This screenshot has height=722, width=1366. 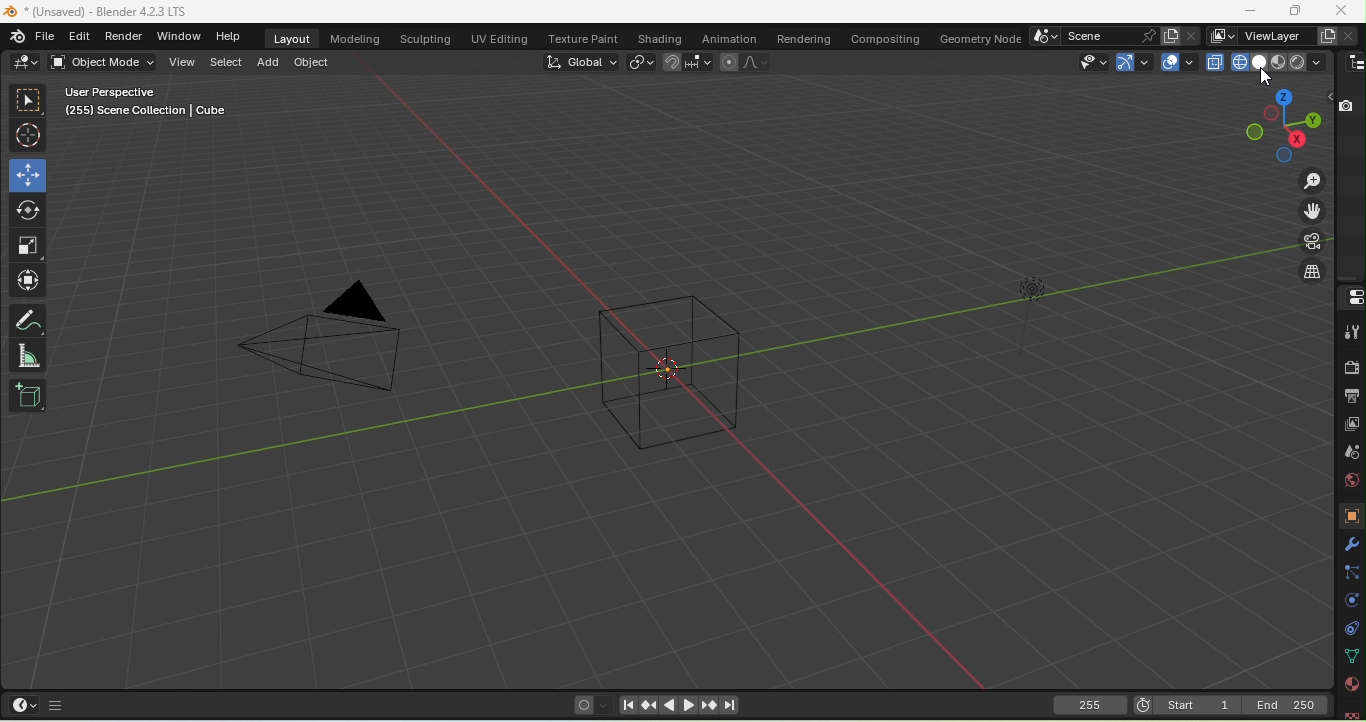 What do you see at coordinates (1316, 62) in the screenshot?
I see `Shading` at bounding box center [1316, 62].